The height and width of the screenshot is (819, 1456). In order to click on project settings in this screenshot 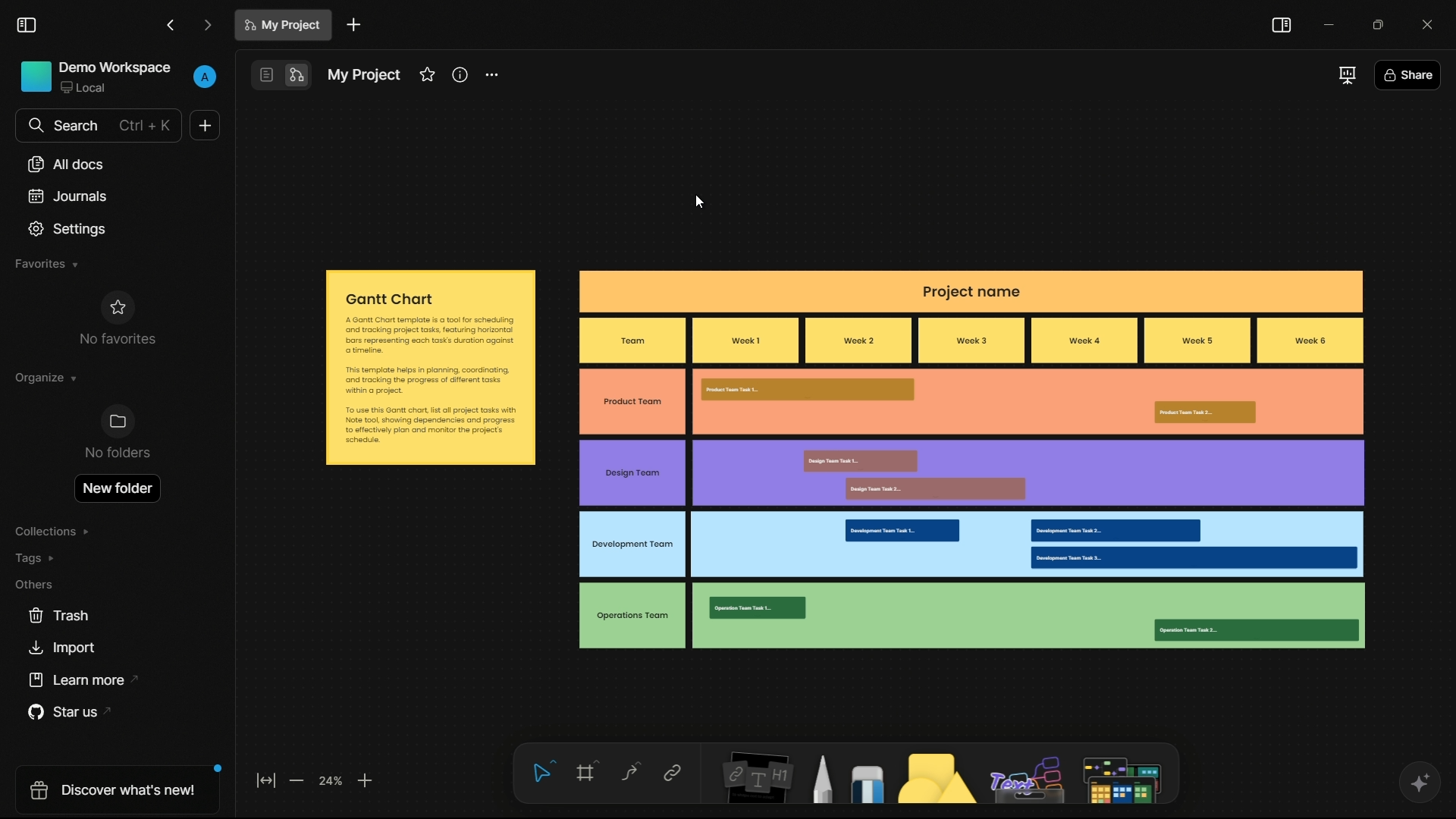, I will do `click(493, 75)`.